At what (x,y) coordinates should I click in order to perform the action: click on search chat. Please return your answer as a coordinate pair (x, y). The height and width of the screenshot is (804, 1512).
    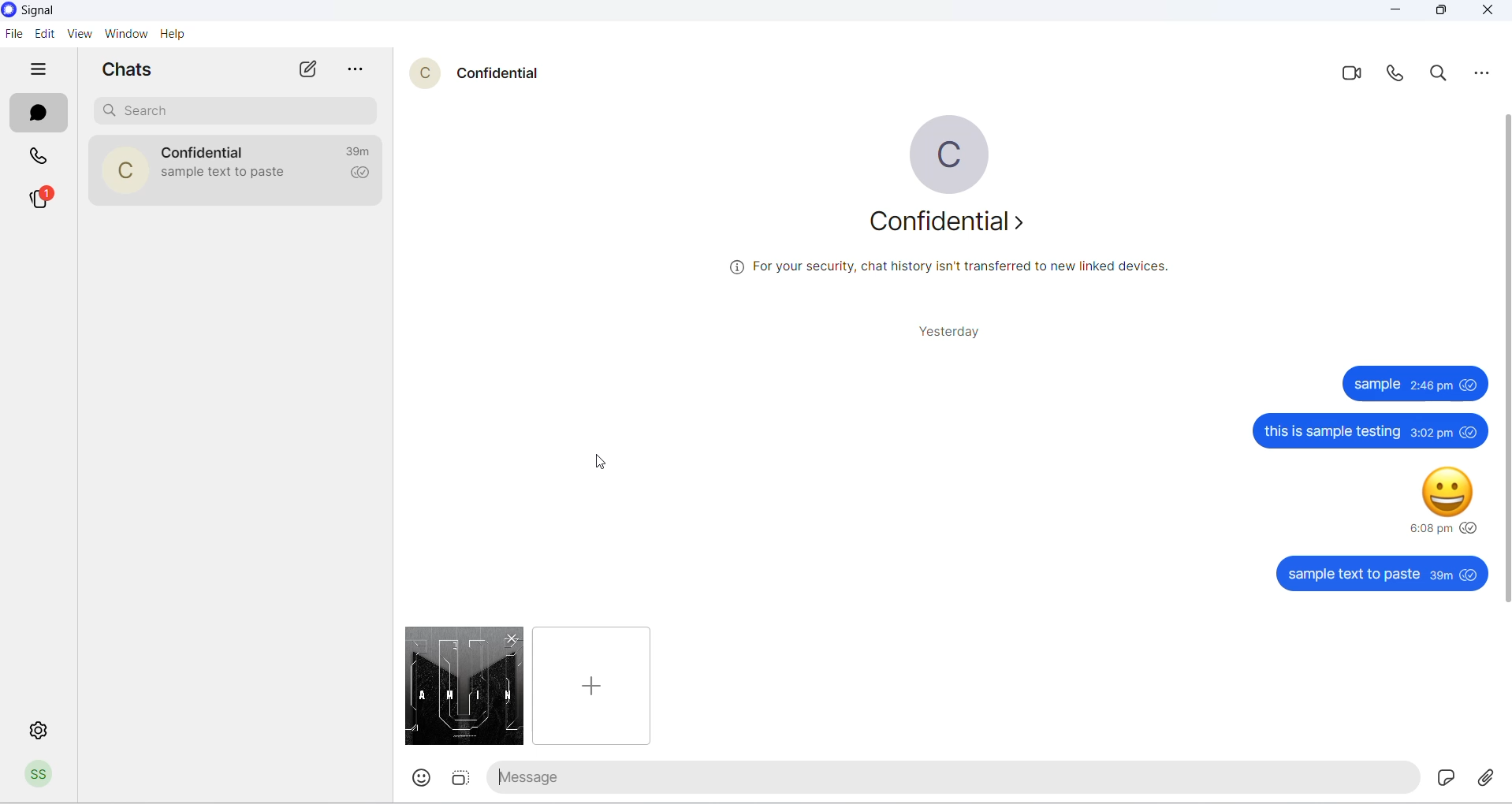
    Looking at the image, I should click on (239, 109).